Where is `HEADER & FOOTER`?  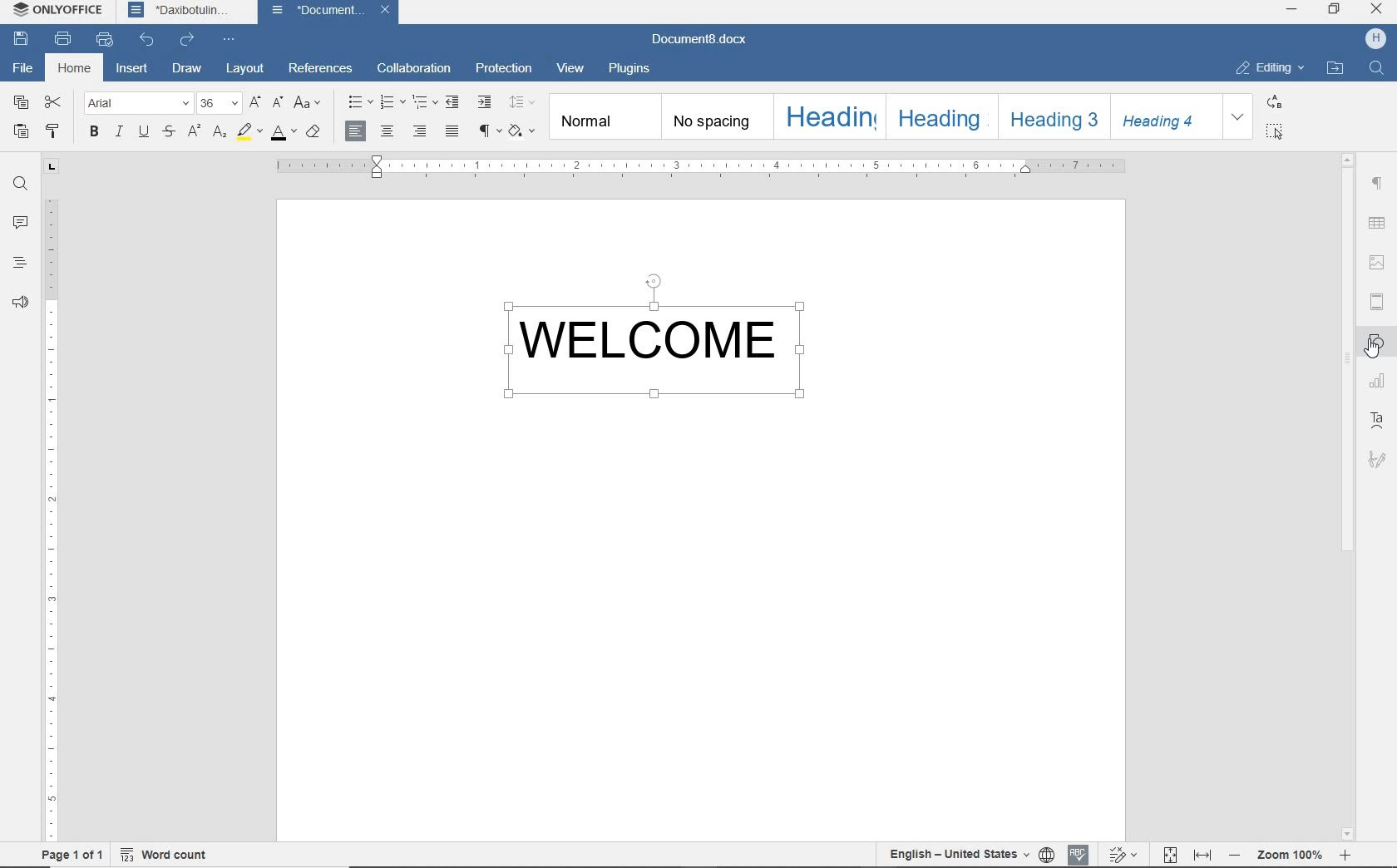
HEADER & FOOTER is located at coordinates (1379, 302).